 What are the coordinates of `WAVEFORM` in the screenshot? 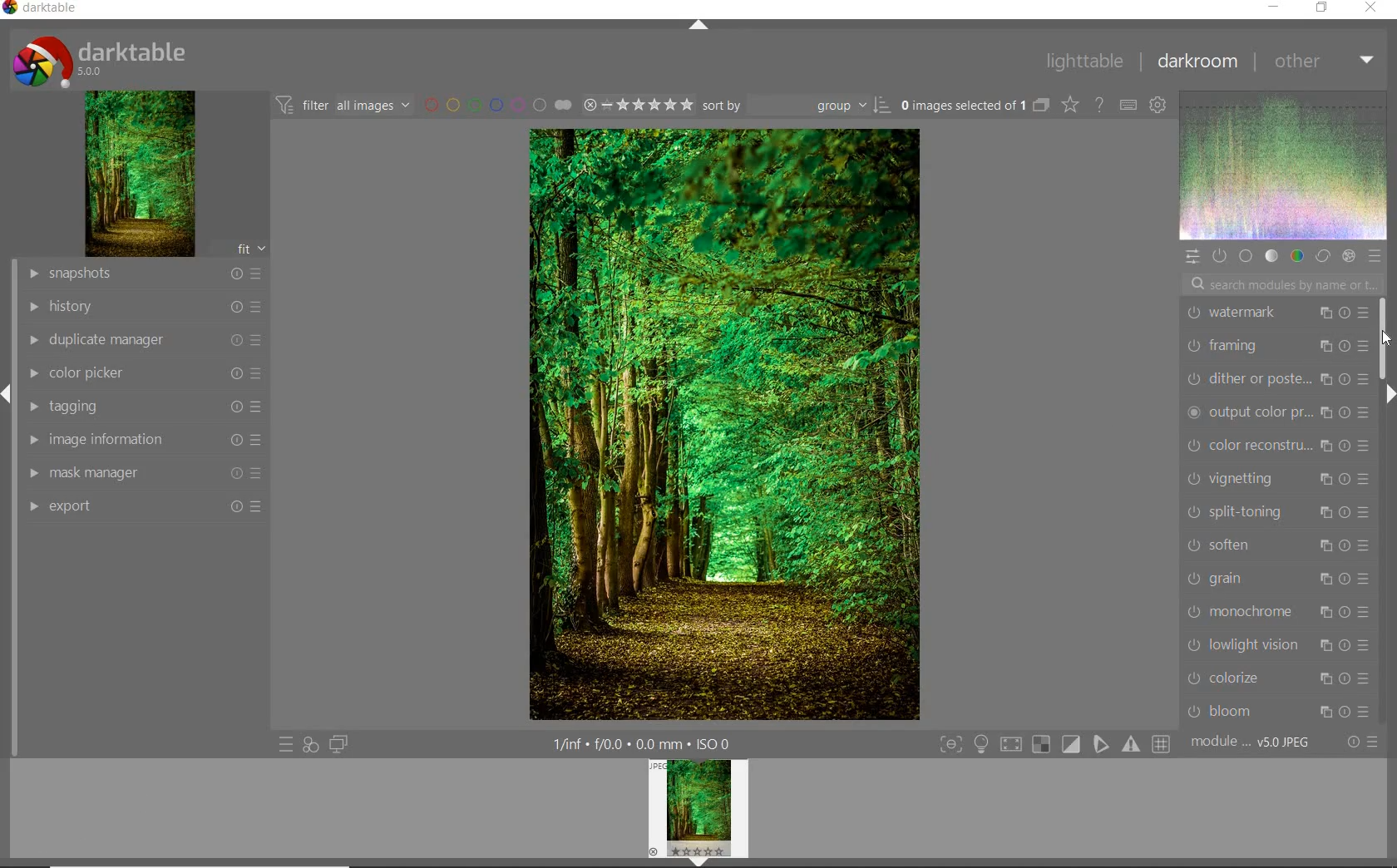 It's located at (1284, 165).